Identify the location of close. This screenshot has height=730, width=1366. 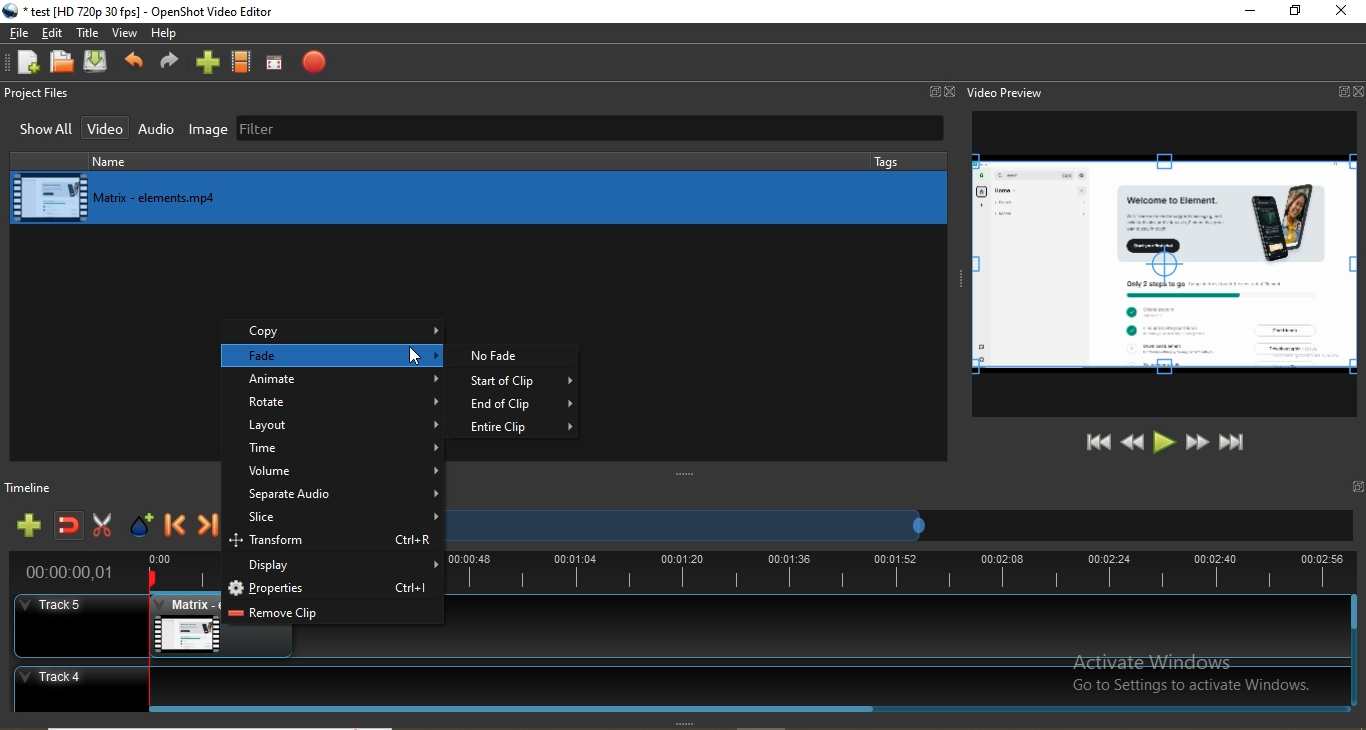
(1341, 12).